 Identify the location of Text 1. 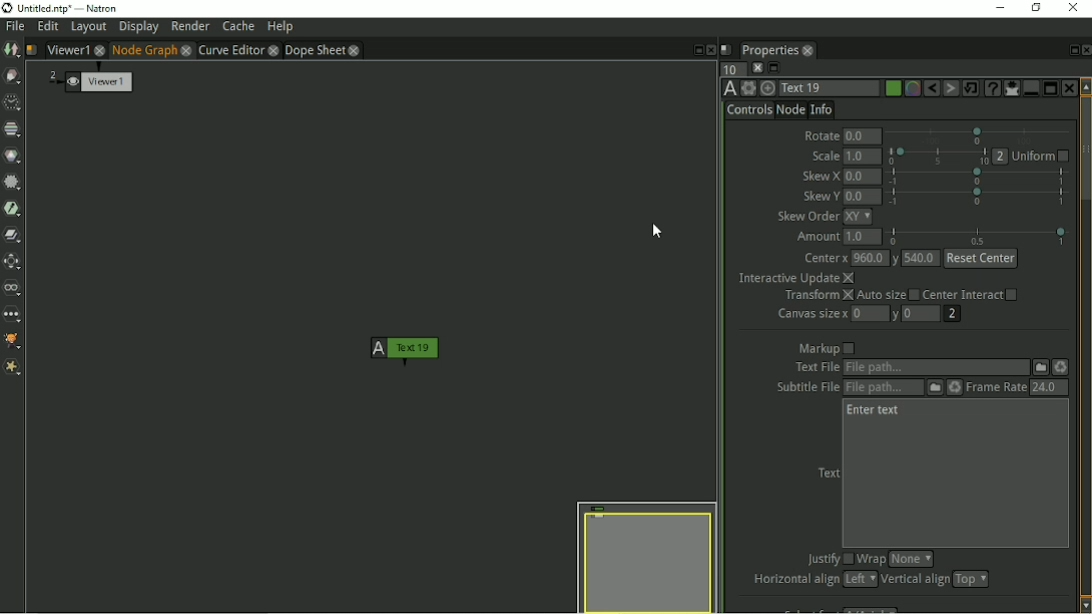
(407, 348).